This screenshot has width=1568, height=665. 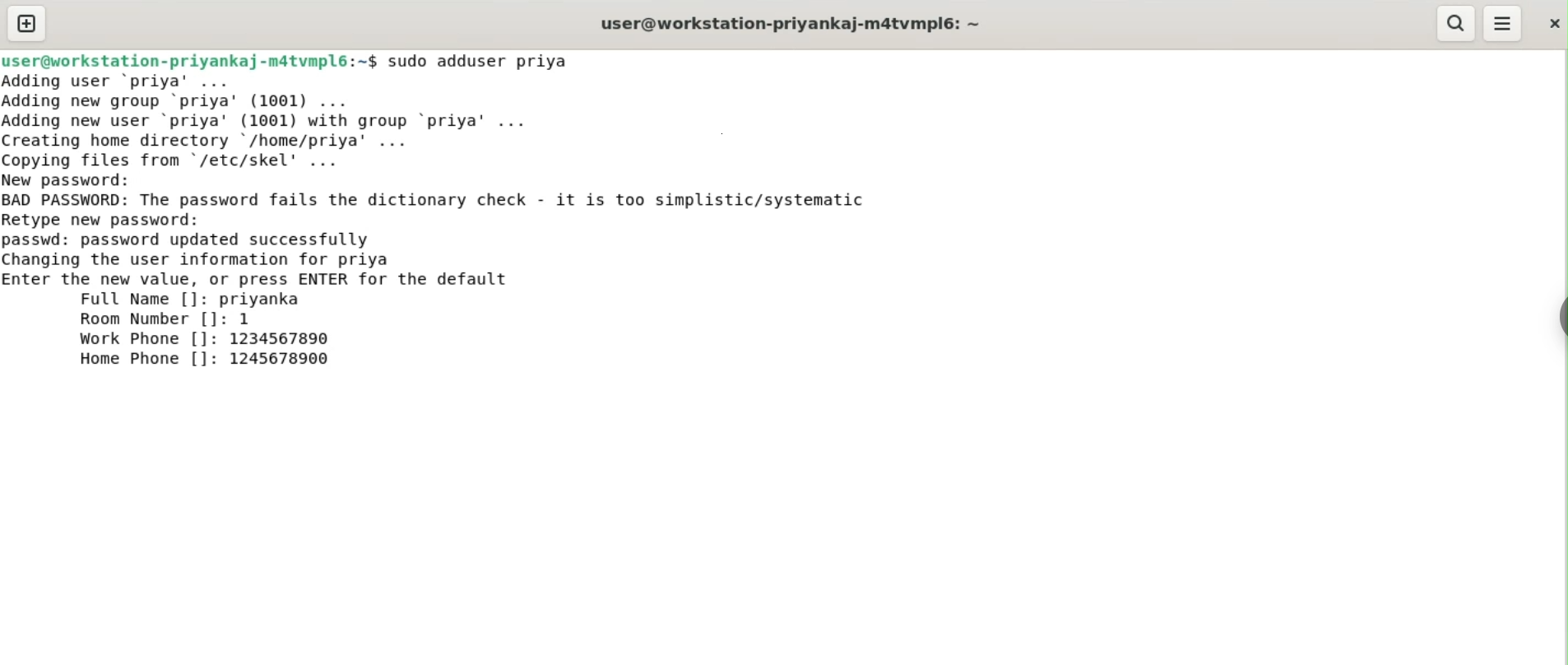 What do you see at coordinates (290, 340) in the screenshot?
I see `1234567890` at bounding box center [290, 340].